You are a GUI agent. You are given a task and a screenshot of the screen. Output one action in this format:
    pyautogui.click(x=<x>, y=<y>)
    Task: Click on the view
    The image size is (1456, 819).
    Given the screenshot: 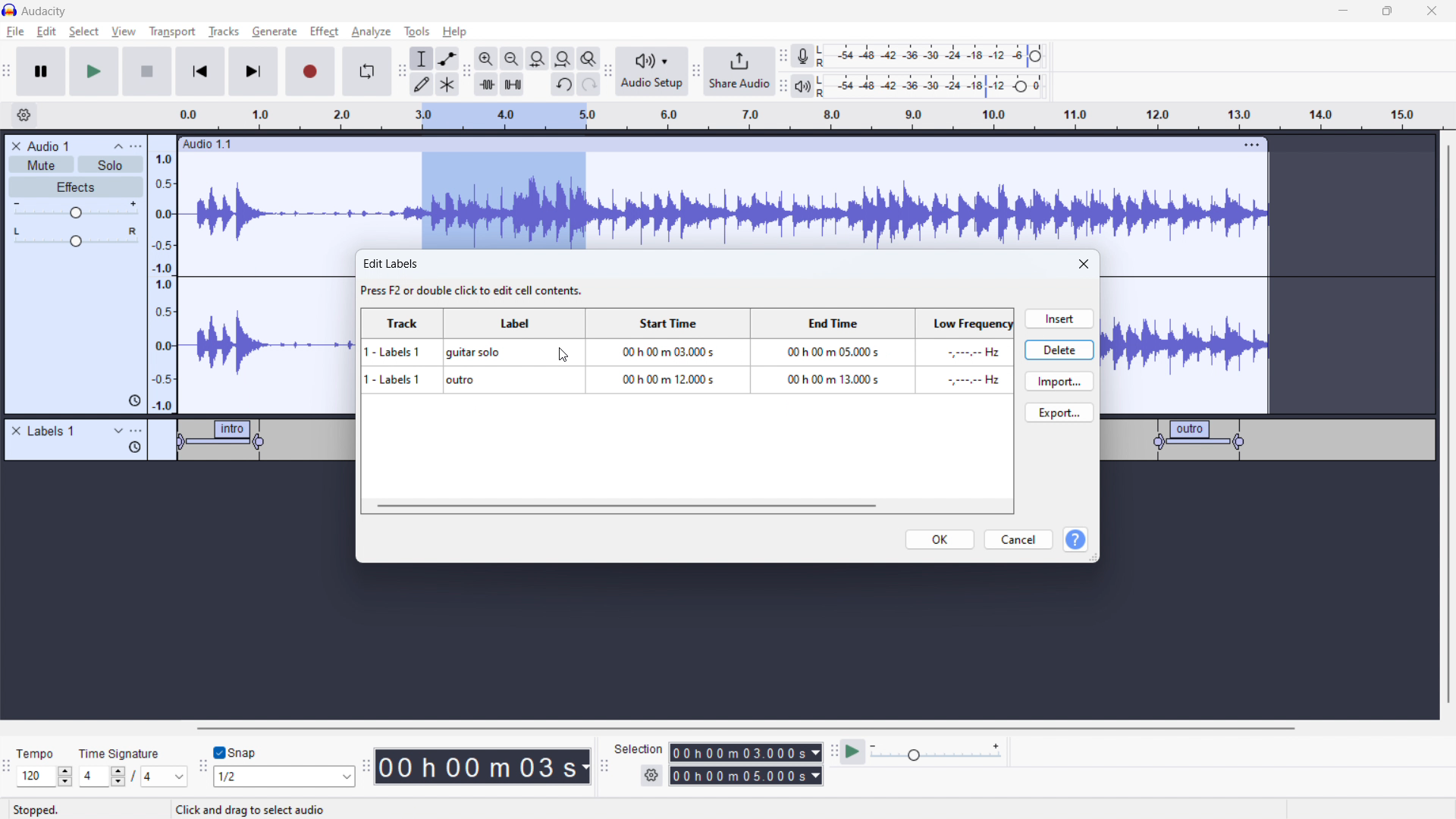 What is the action you would take?
    pyautogui.click(x=124, y=31)
    